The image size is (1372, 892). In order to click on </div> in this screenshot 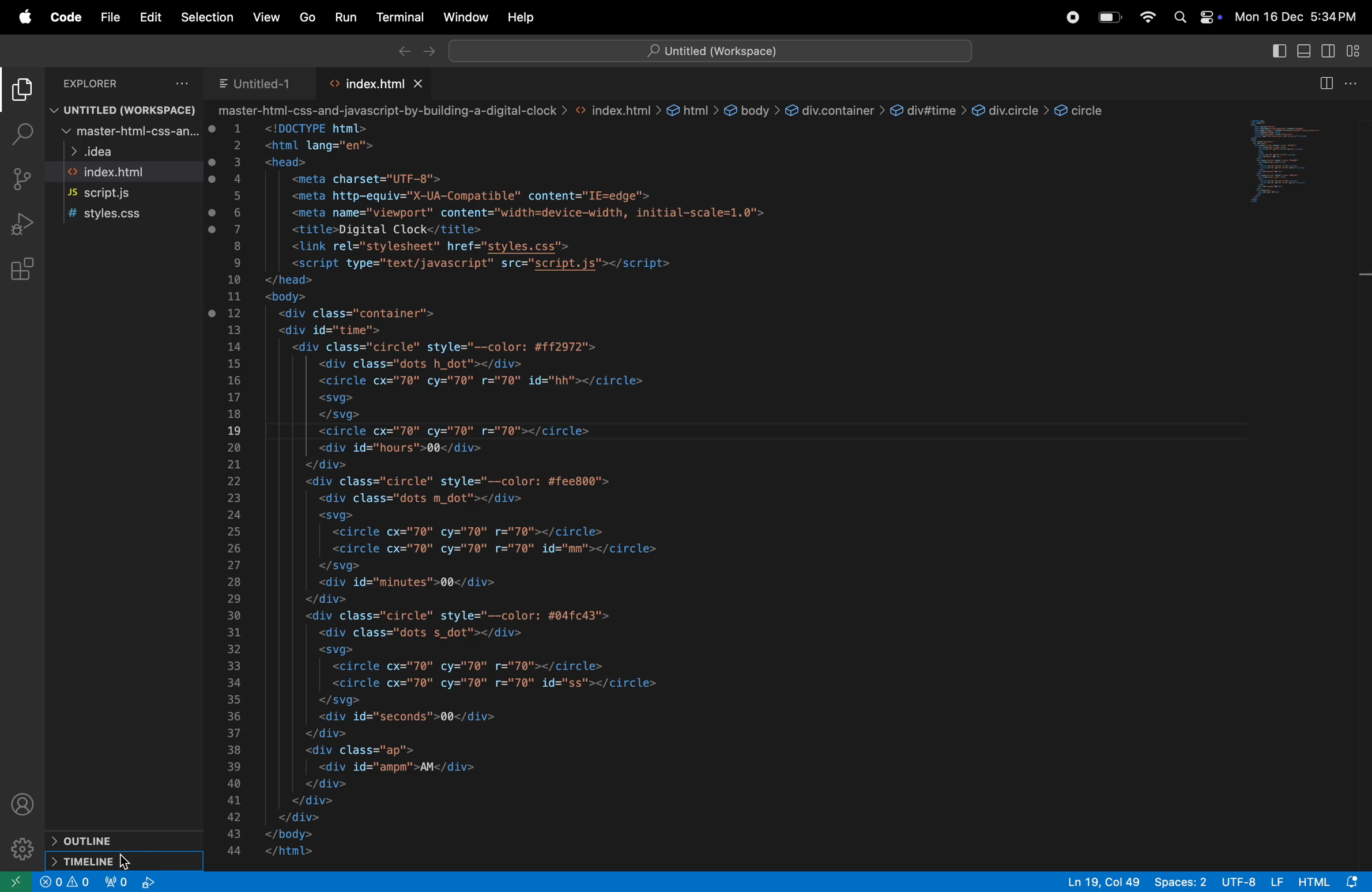, I will do `click(311, 816)`.